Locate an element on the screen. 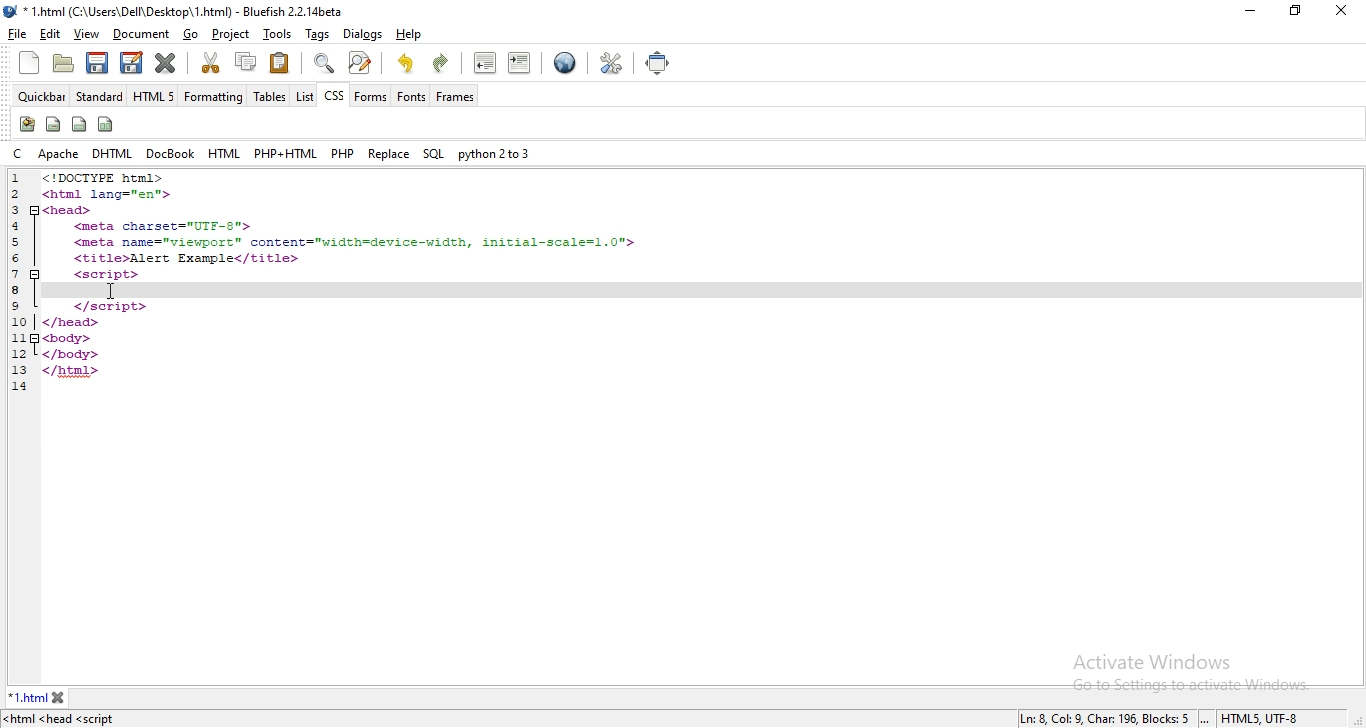  php + html is located at coordinates (284, 153).